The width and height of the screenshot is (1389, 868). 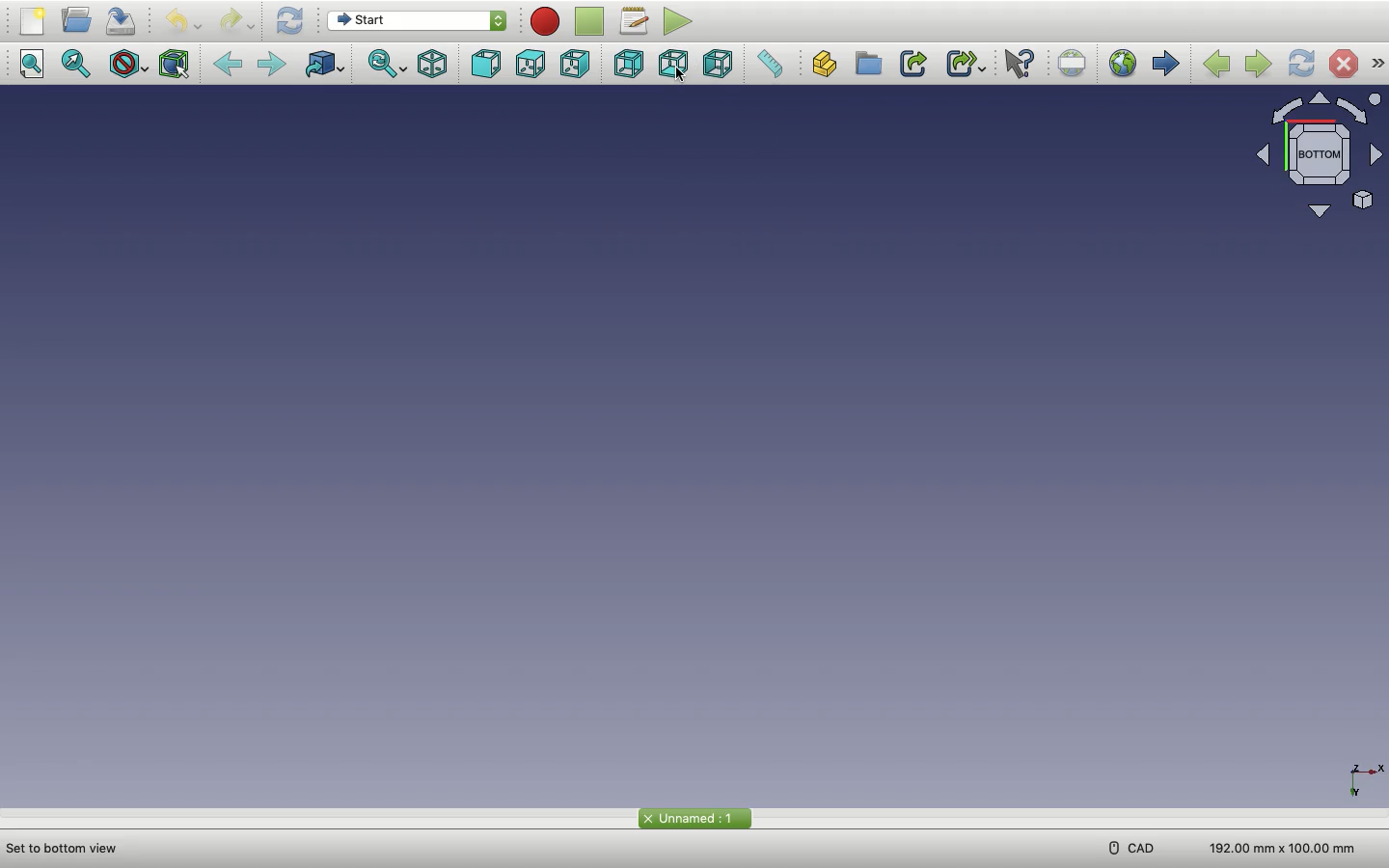 I want to click on Create part, so click(x=828, y=66).